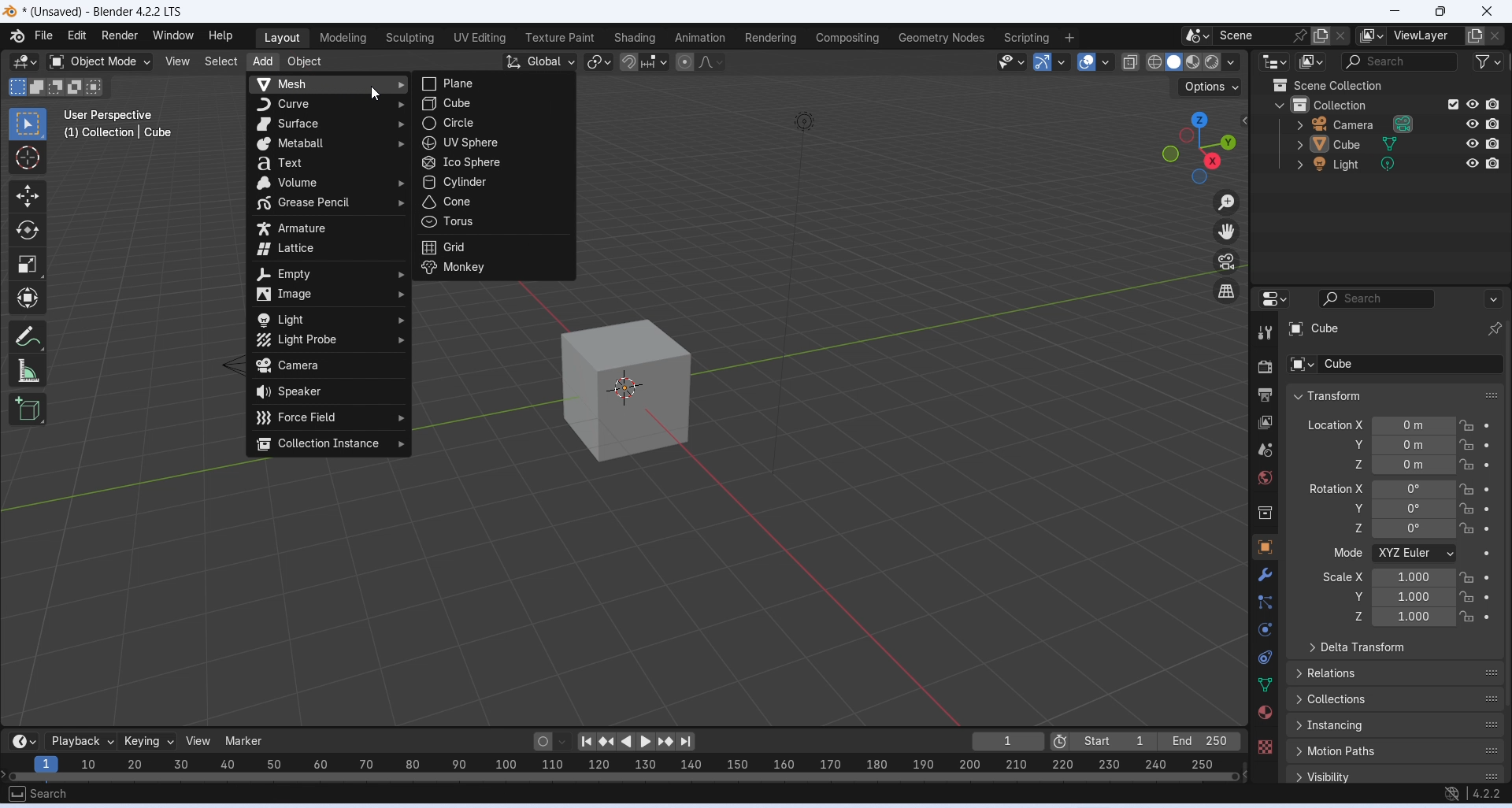  What do you see at coordinates (1414, 576) in the screenshot?
I see `scale` at bounding box center [1414, 576].